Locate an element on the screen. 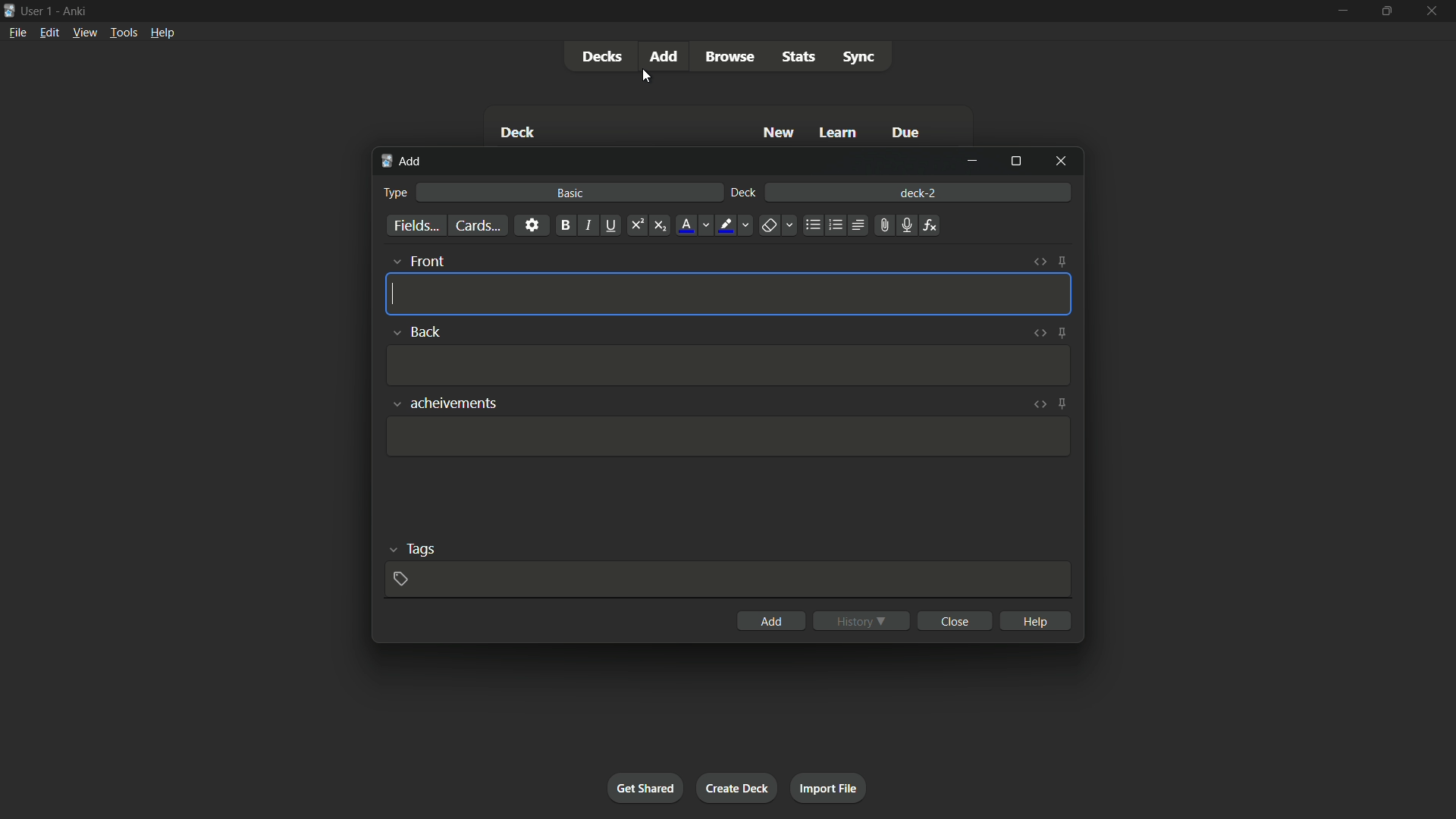 The image size is (1456, 819). remove formatting is located at coordinates (778, 223).